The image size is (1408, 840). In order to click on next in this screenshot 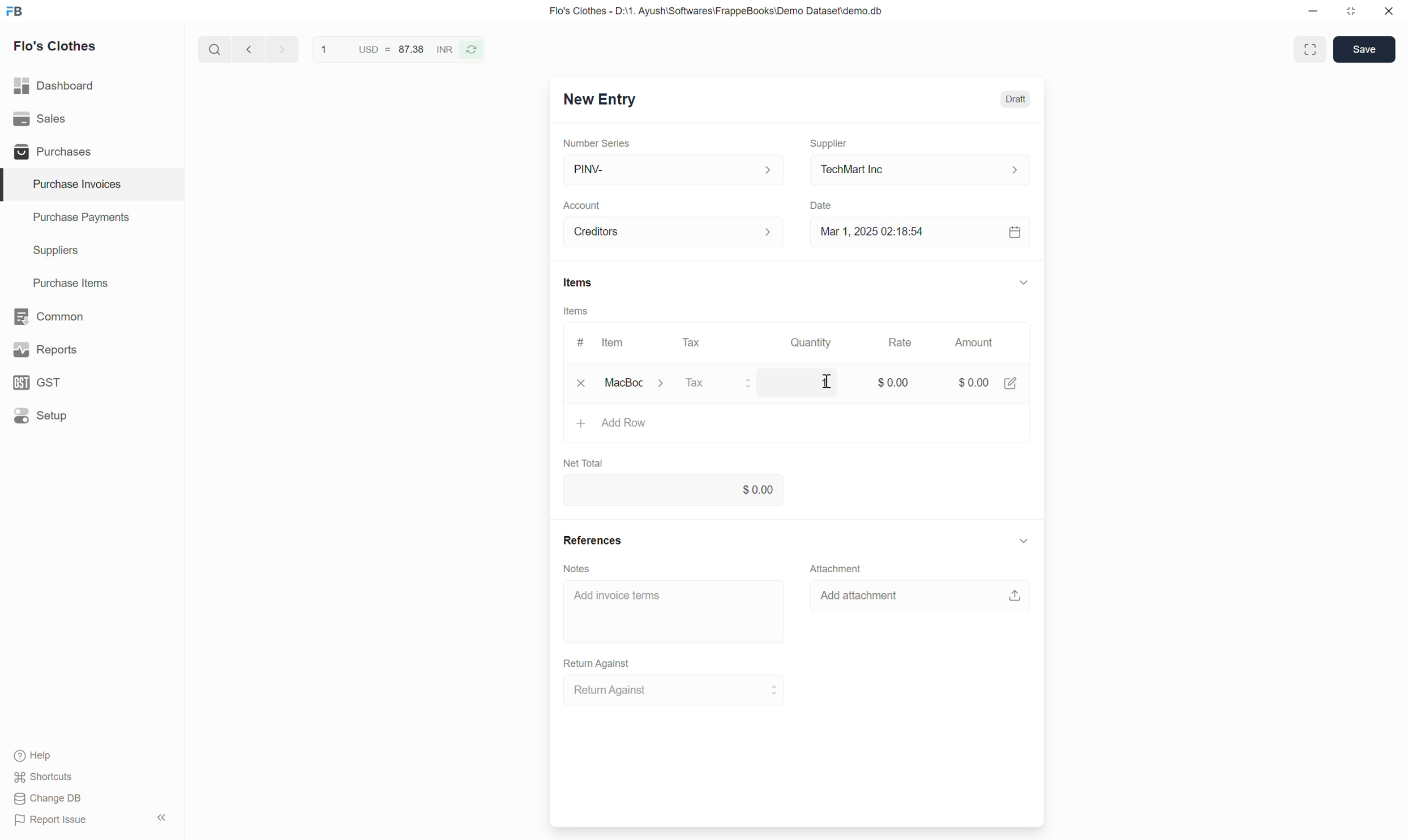, I will do `click(284, 49)`.